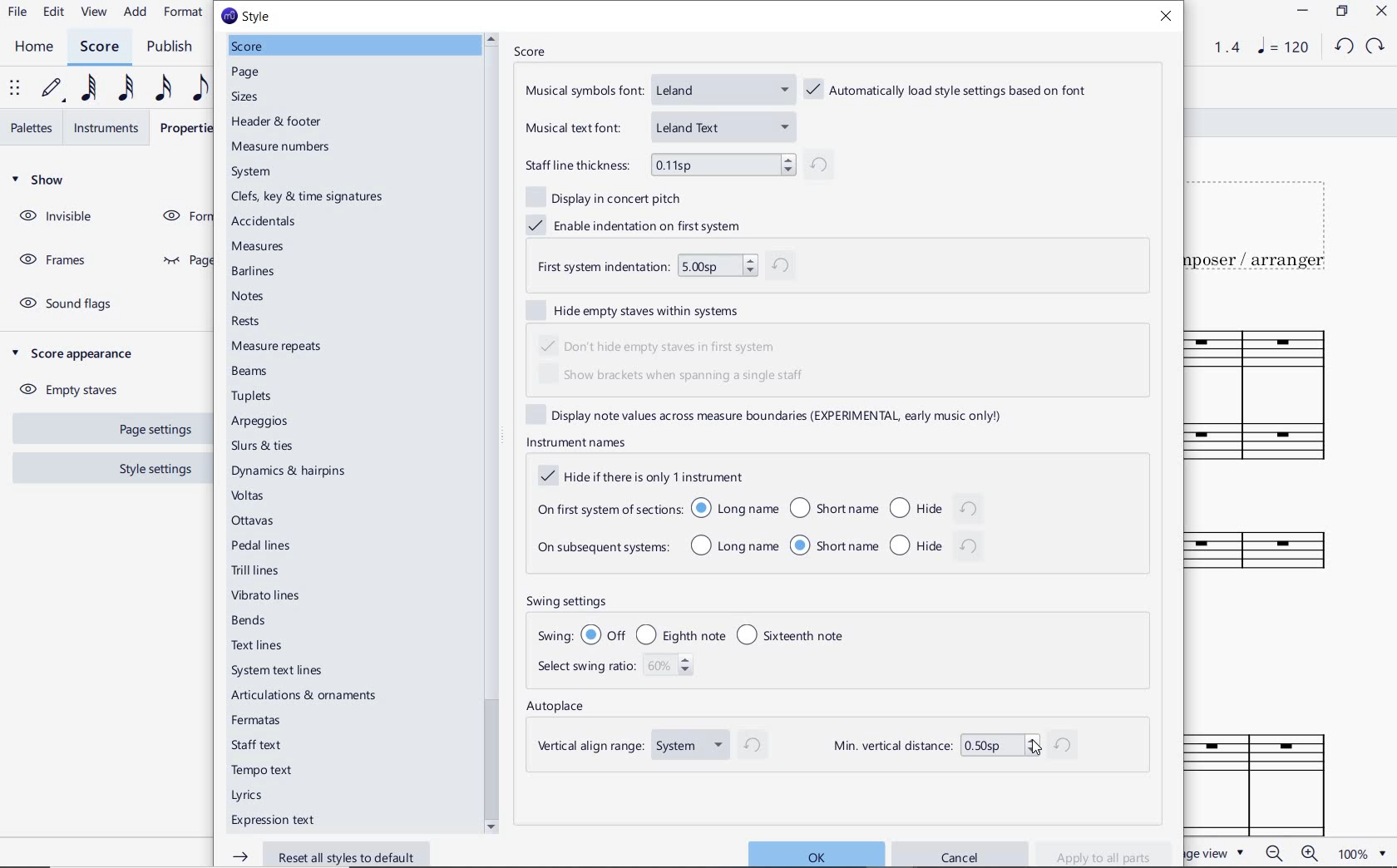 Image resolution: width=1397 pixels, height=868 pixels. What do you see at coordinates (665, 267) in the screenshot?
I see `FIRST SYSTEM INDENTATION` at bounding box center [665, 267].